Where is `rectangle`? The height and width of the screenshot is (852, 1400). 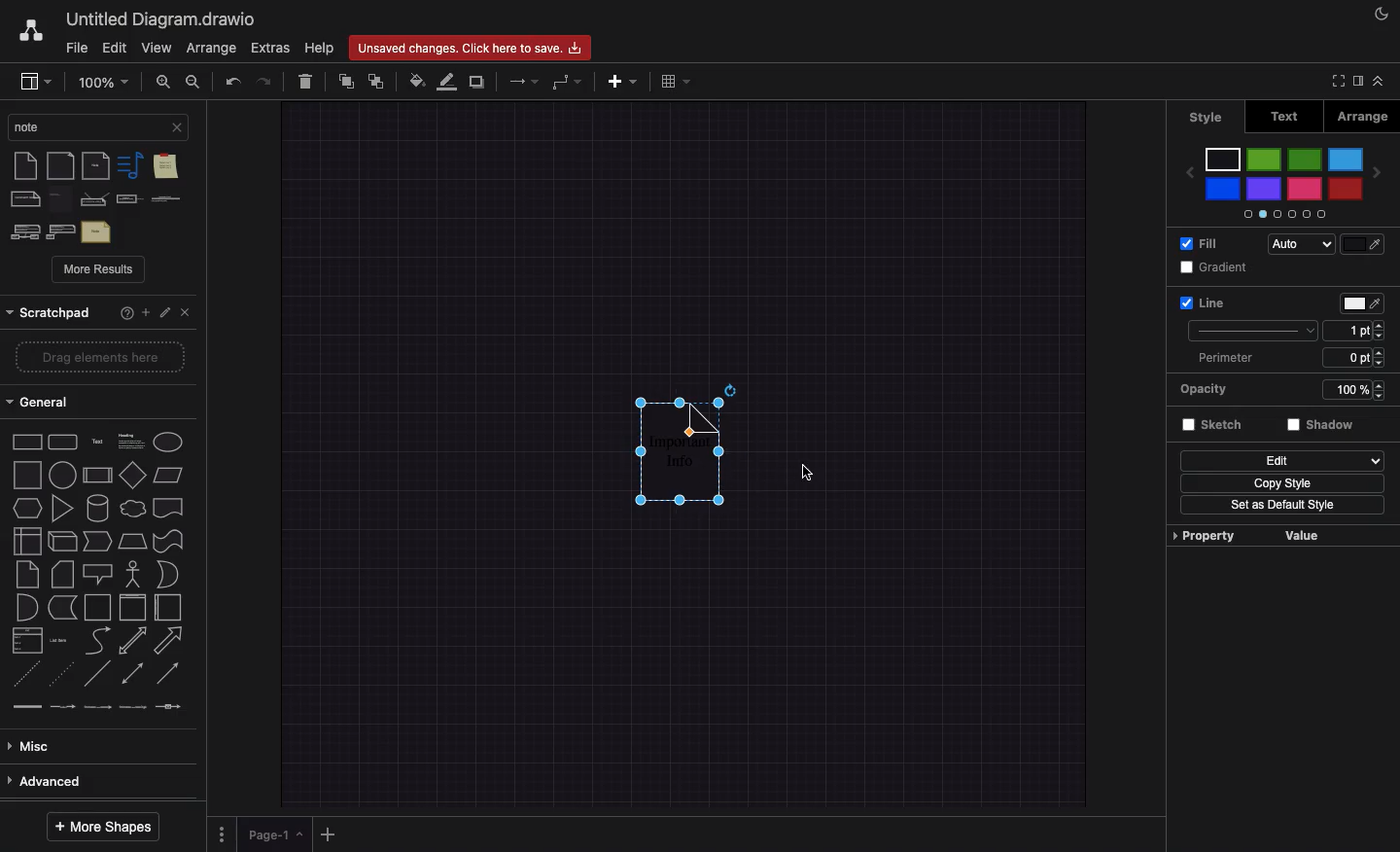
rectangle is located at coordinates (25, 444).